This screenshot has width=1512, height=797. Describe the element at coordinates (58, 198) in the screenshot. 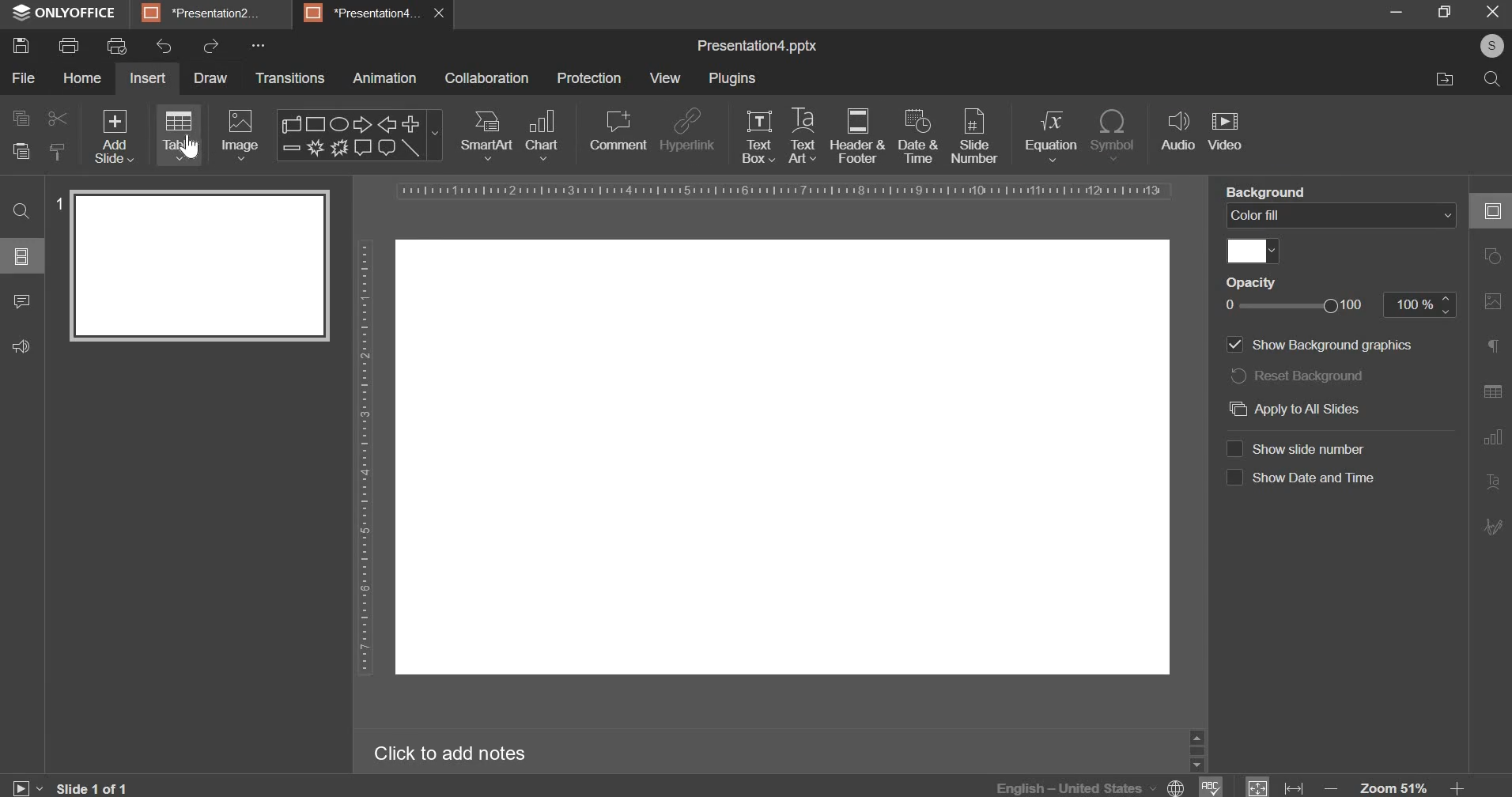

I see `1` at that location.